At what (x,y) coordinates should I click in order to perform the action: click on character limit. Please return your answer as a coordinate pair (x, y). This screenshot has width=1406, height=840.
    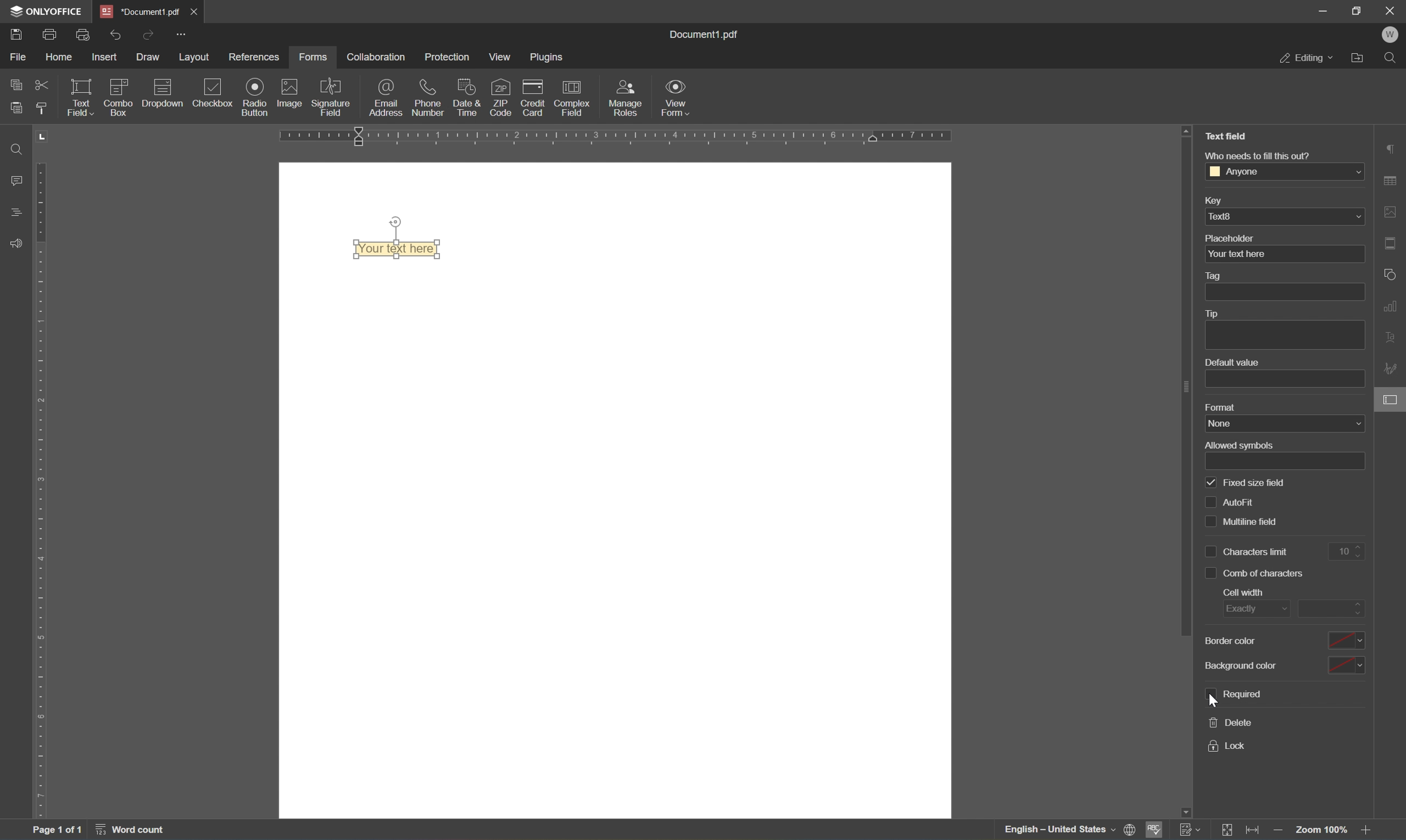
    Looking at the image, I should click on (1249, 551).